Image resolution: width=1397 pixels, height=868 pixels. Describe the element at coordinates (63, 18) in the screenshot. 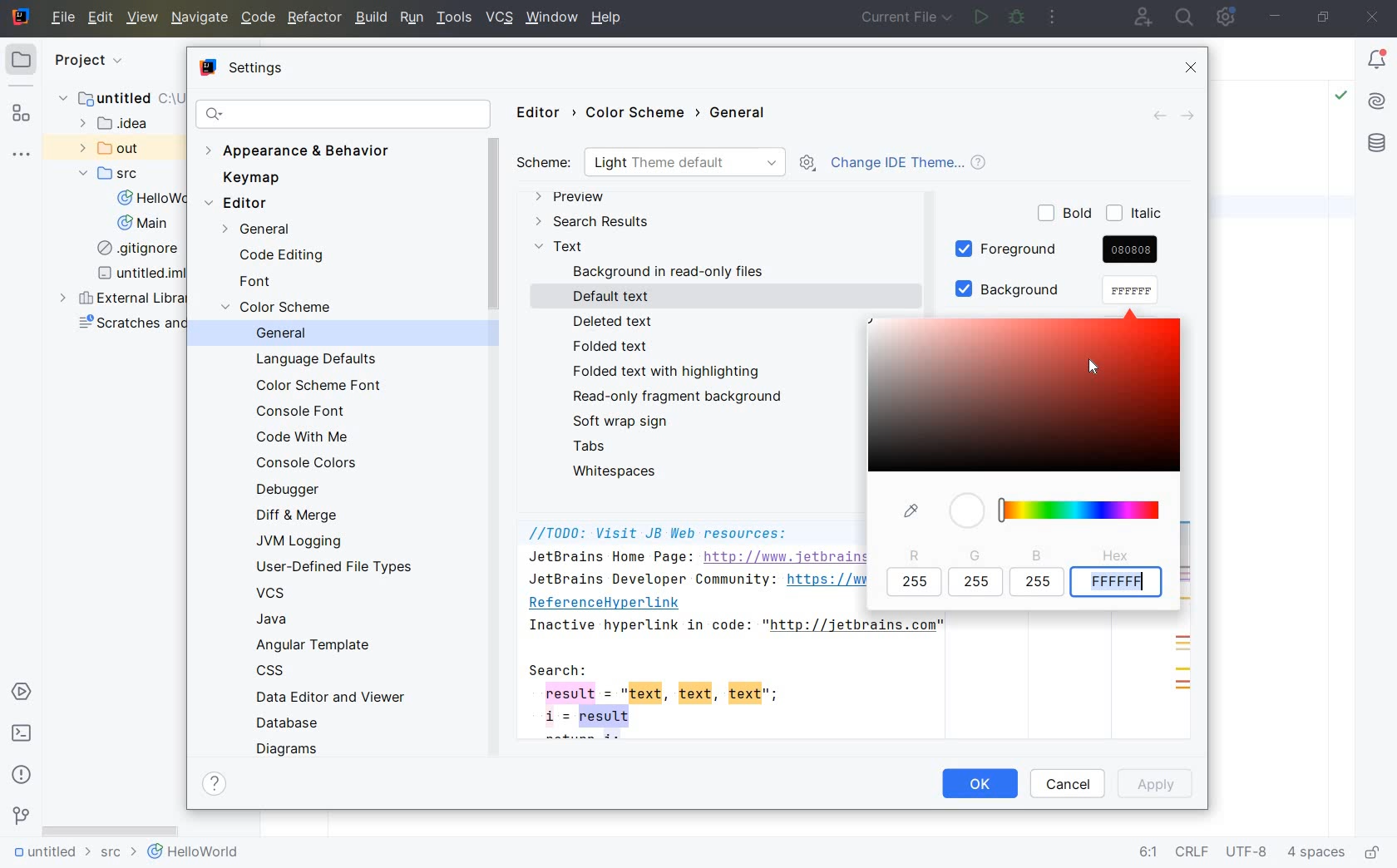

I see `file` at that location.